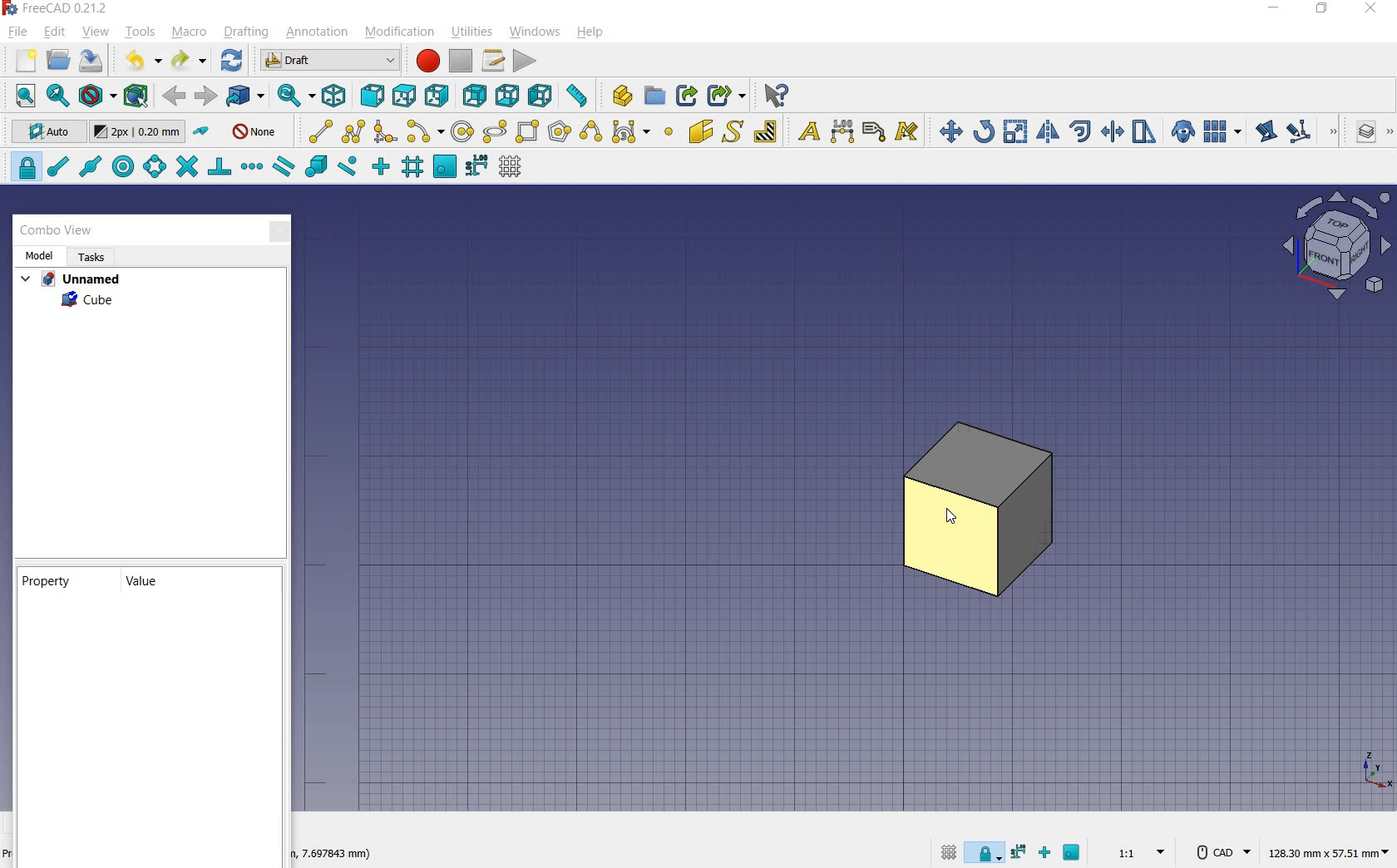  What do you see at coordinates (96, 31) in the screenshot?
I see `view` at bounding box center [96, 31].